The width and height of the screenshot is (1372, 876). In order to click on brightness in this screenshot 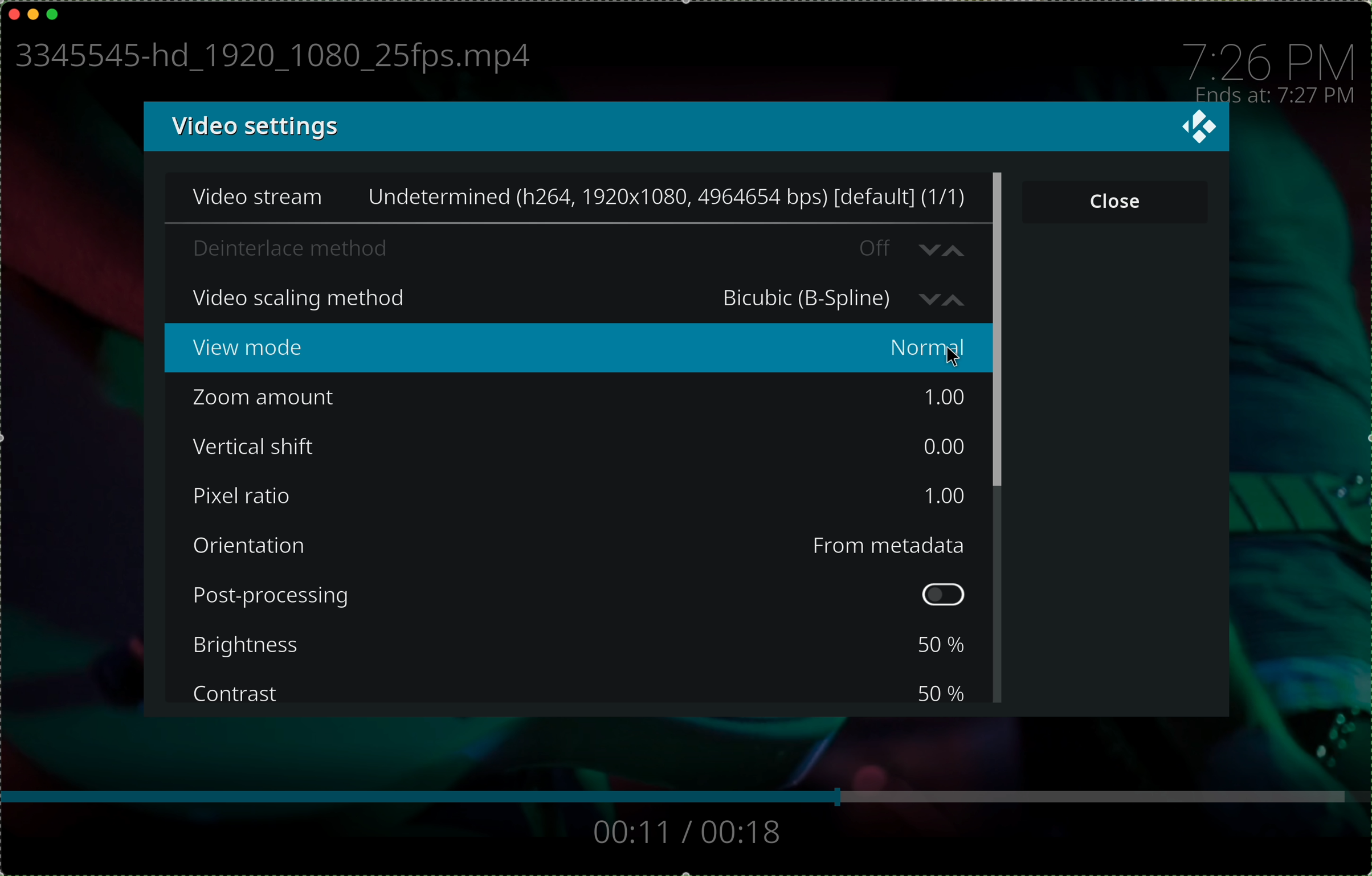, I will do `click(252, 646)`.